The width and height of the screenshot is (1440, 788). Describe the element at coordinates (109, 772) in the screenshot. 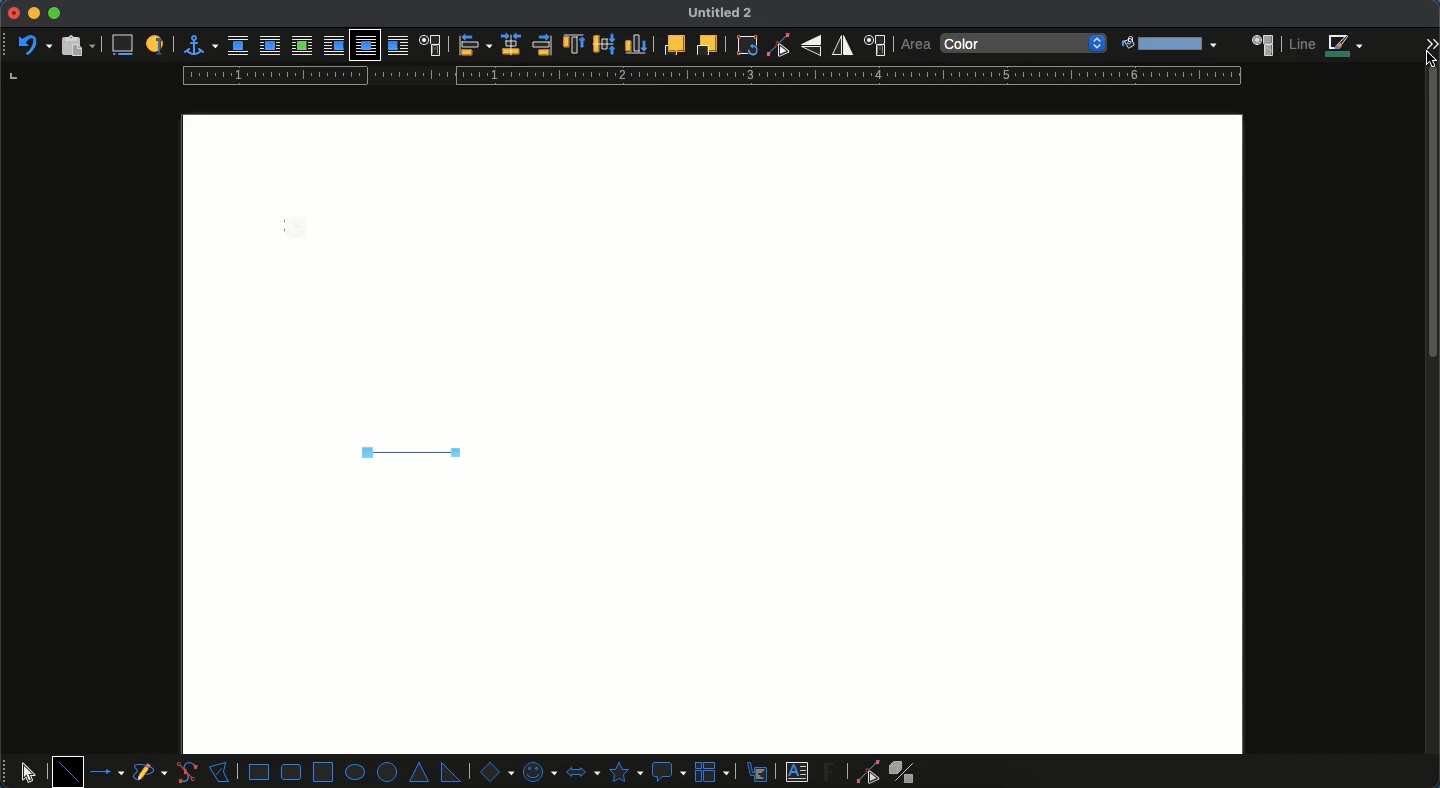

I see `lines and arrows` at that location.